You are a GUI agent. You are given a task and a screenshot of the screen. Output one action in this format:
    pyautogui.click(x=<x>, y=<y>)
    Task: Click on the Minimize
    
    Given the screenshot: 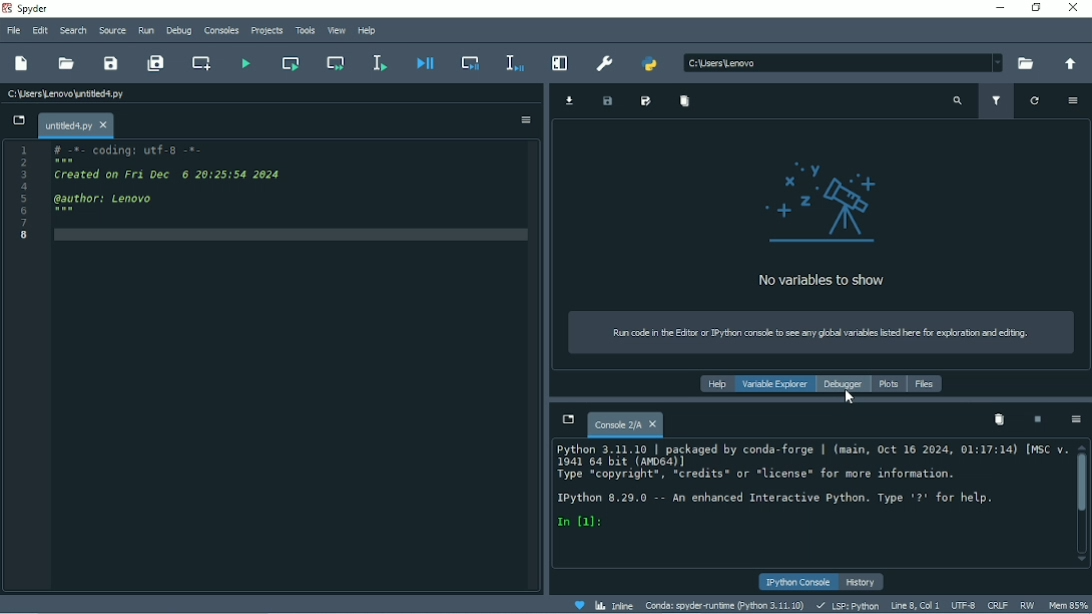 What is the action you would take?
    pyautogui.click(x=999, y=7)
    